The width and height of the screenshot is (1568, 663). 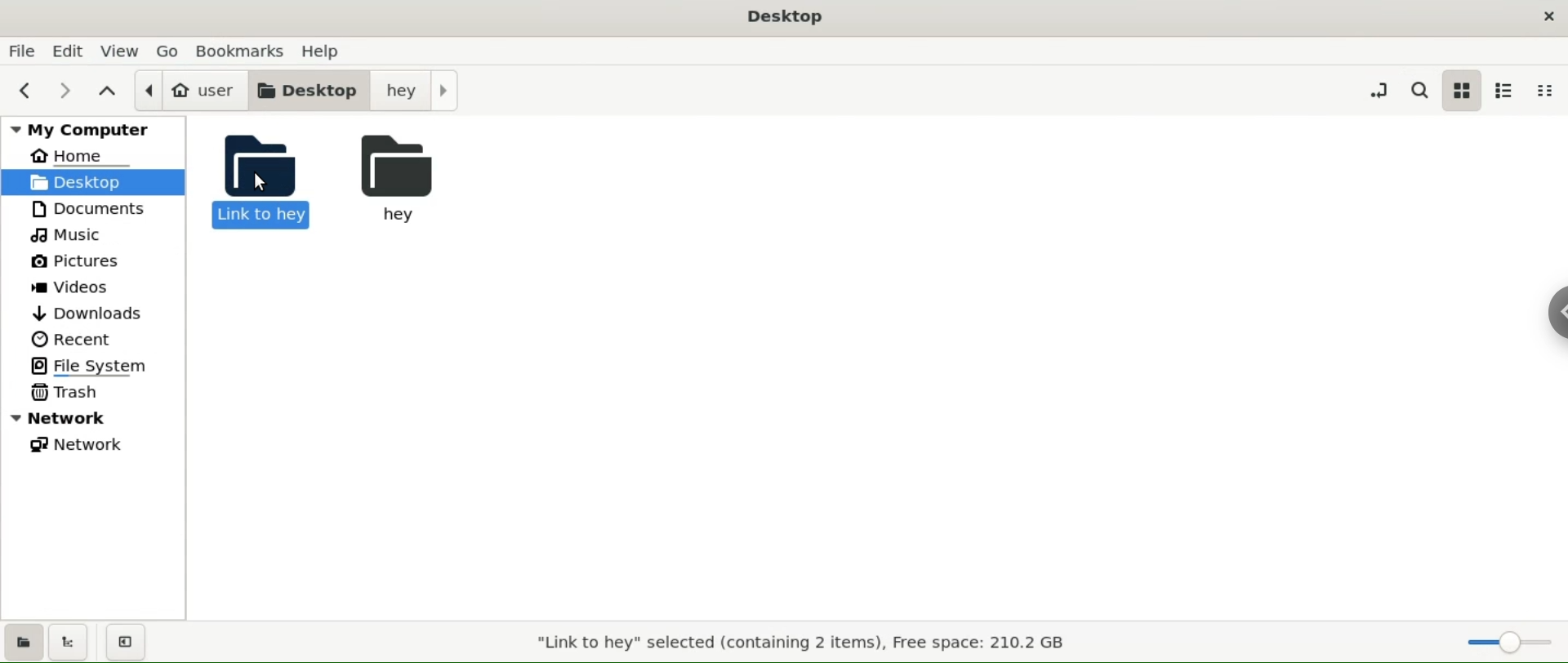 I want to click on trask, so click(x=67, y=392).